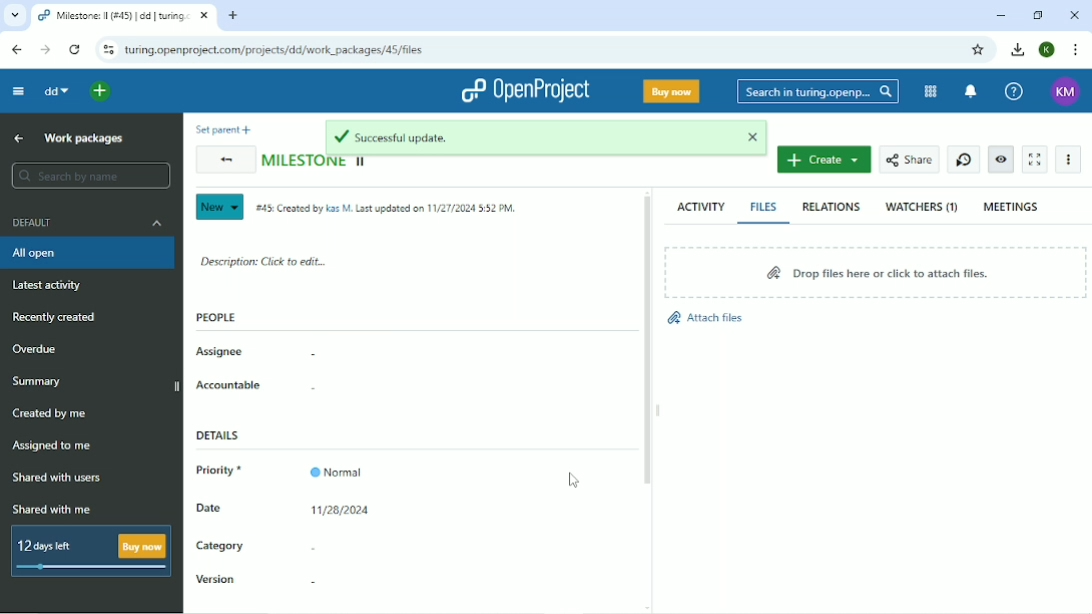  What do you see at coordinates (17, 92) in the screenshot?
I see `Collapse project menu` at bounding box center [17, 92].